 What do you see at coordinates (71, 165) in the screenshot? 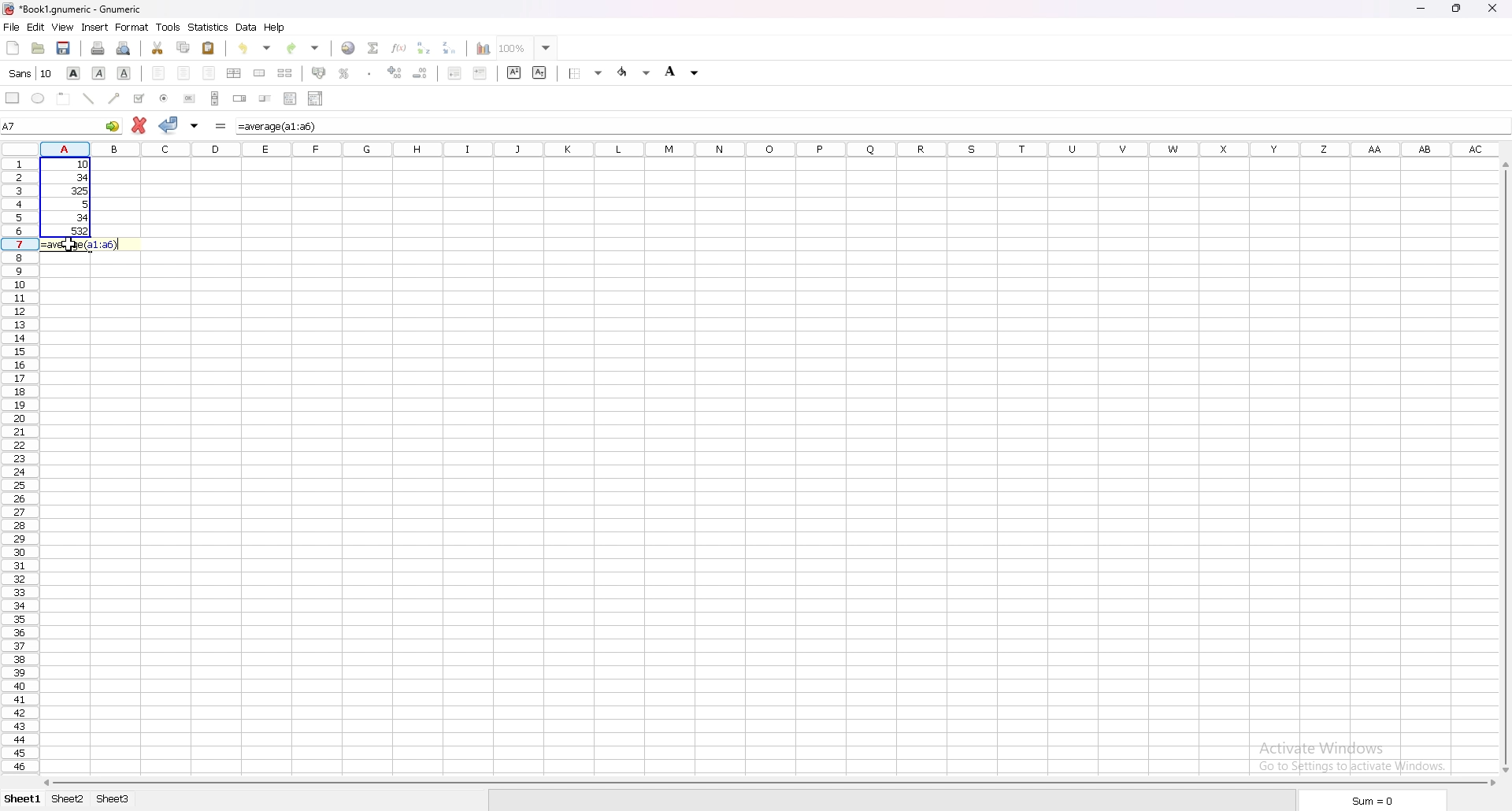
I see `10` at bounding box center [71, 165].